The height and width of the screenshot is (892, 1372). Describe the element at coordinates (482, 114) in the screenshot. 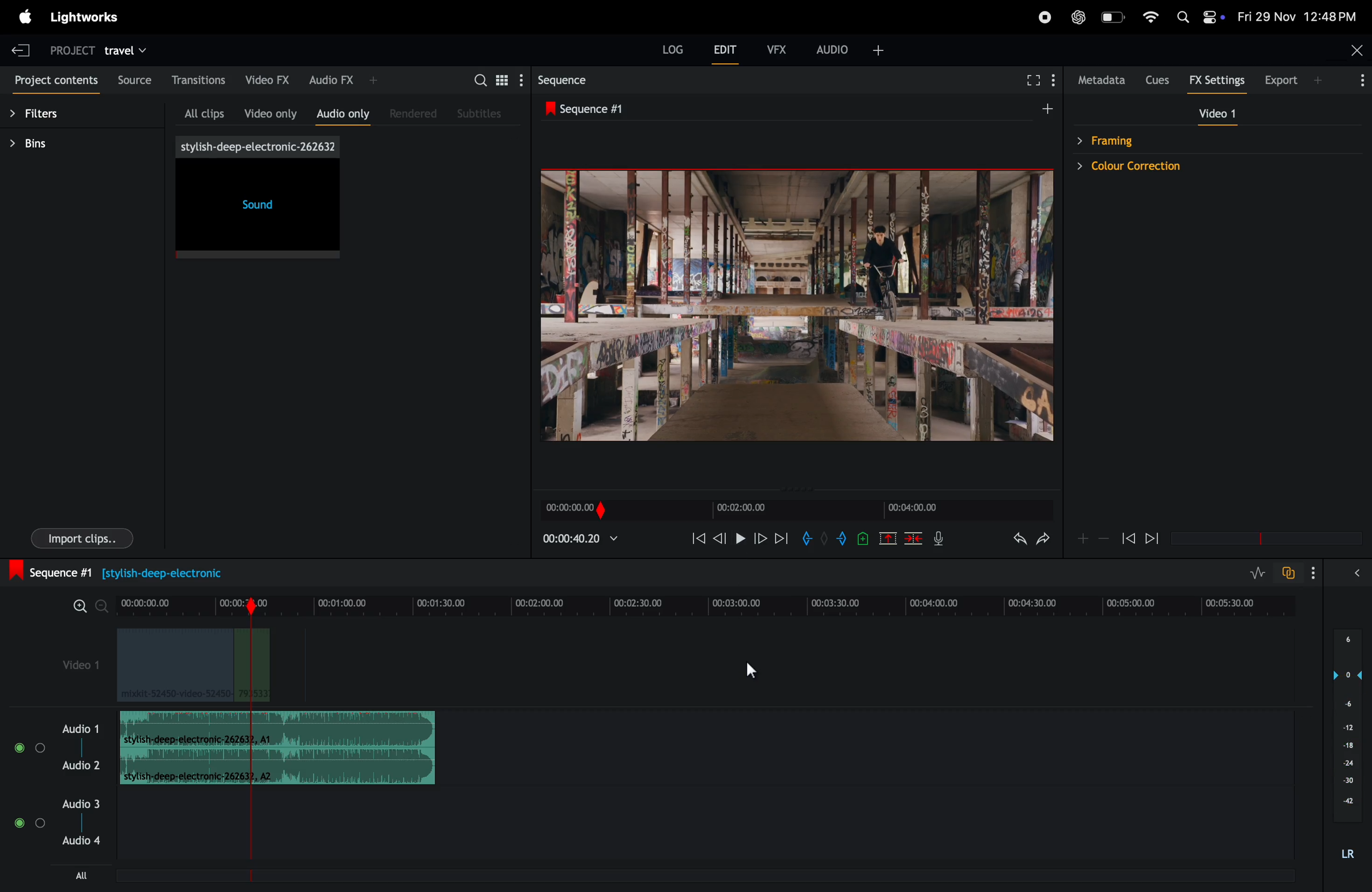

I see `subtitles` at that location.